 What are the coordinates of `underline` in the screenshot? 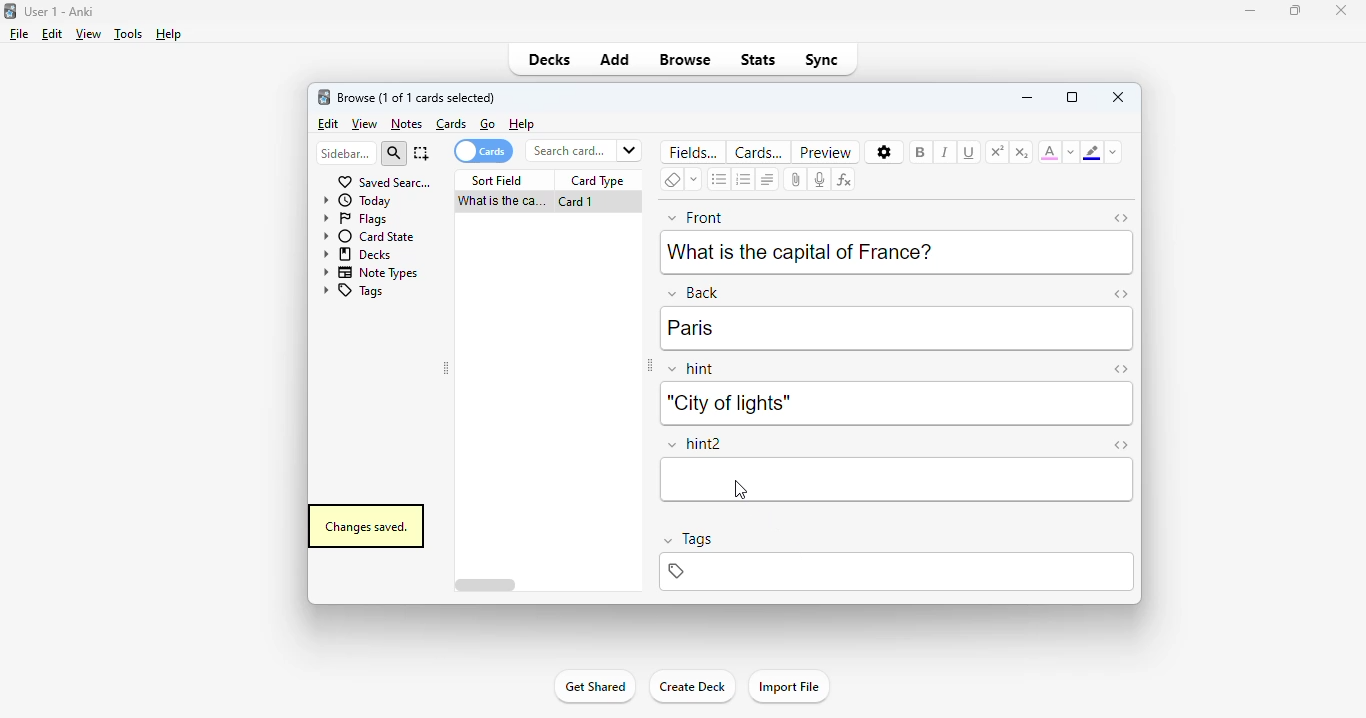 It's located at (967, 152).